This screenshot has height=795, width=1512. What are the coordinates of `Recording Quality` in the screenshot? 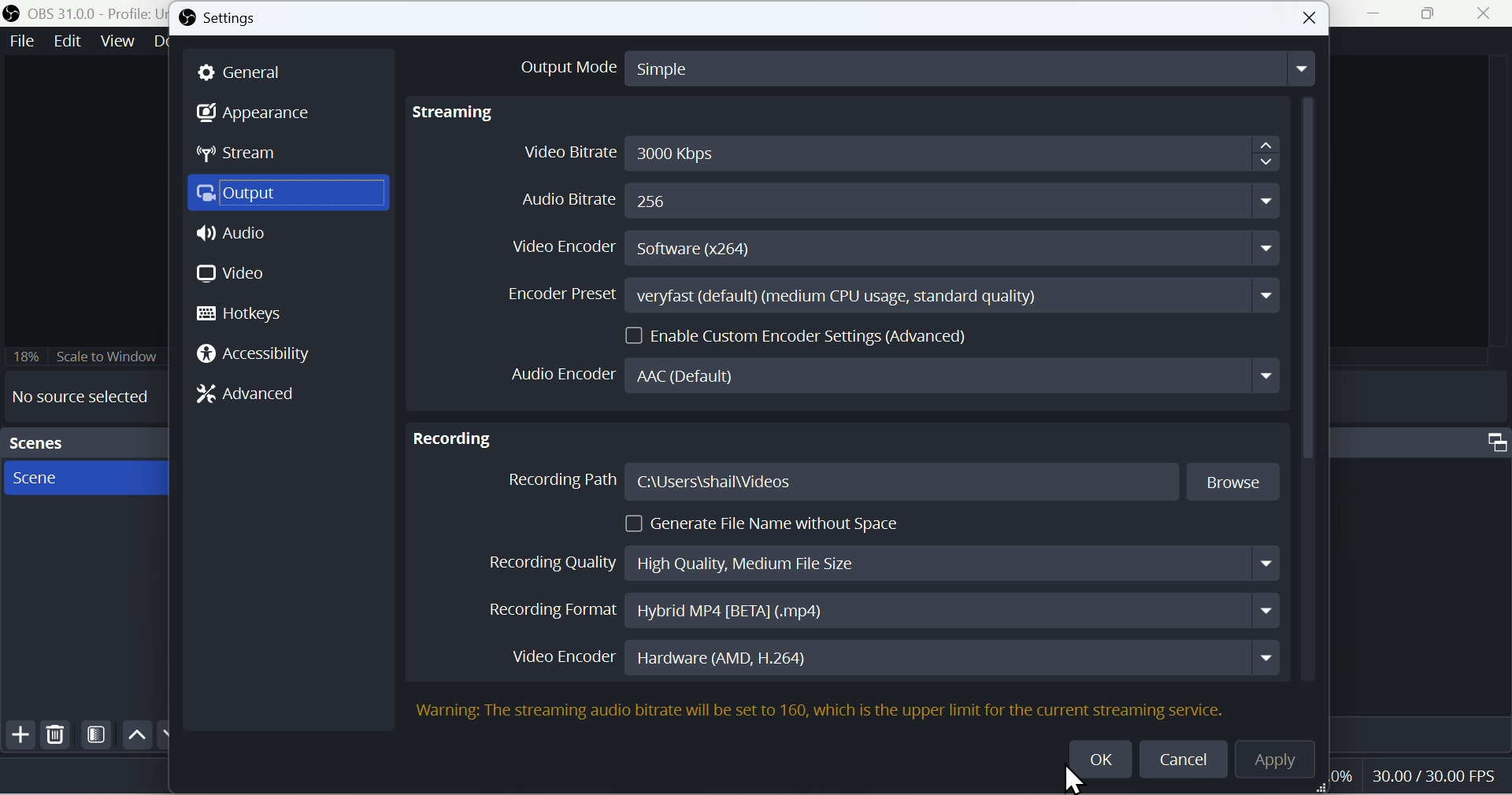 It's located at (879, 559).